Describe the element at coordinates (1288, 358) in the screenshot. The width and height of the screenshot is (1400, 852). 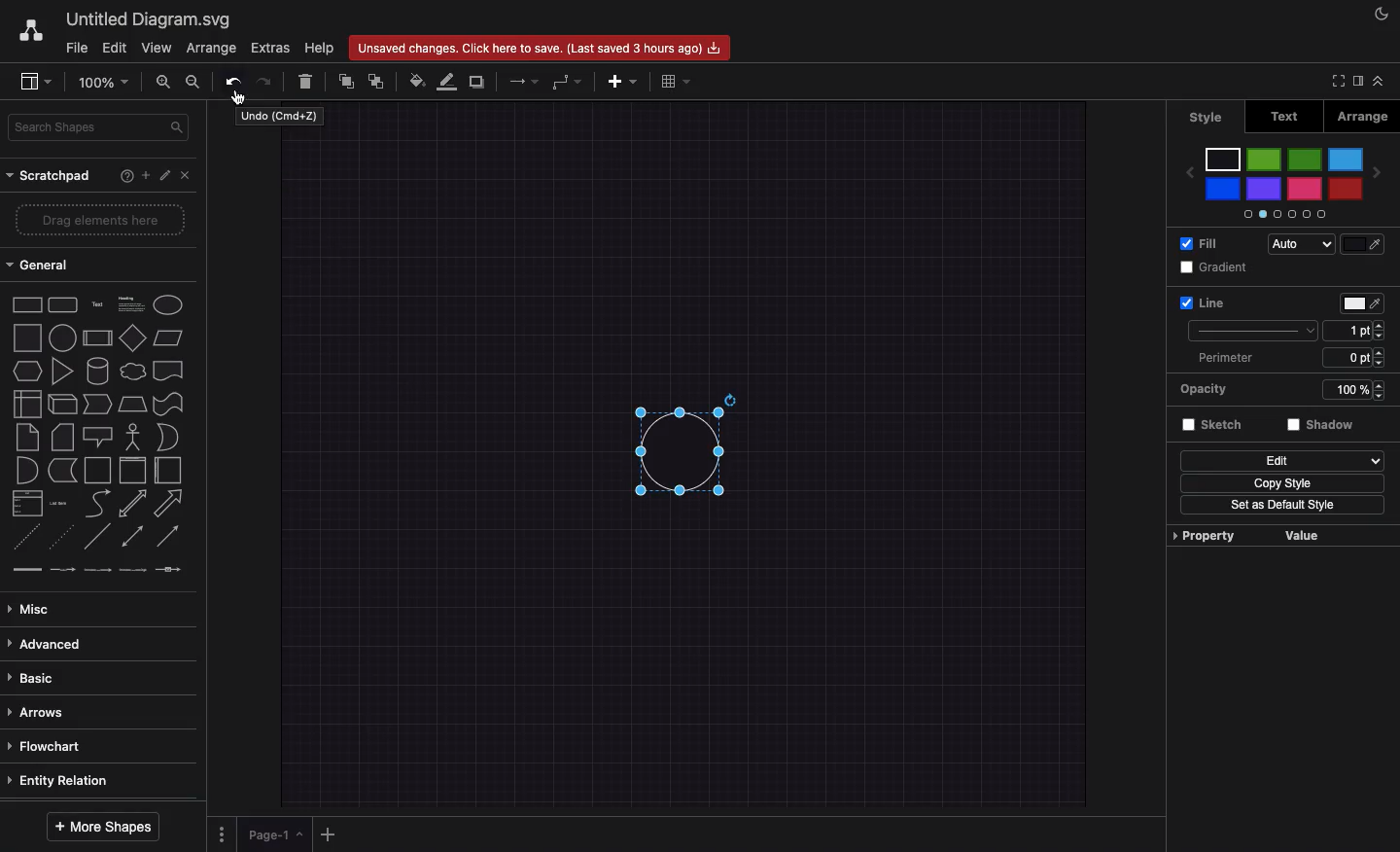
I see `Perimeter` at that location.